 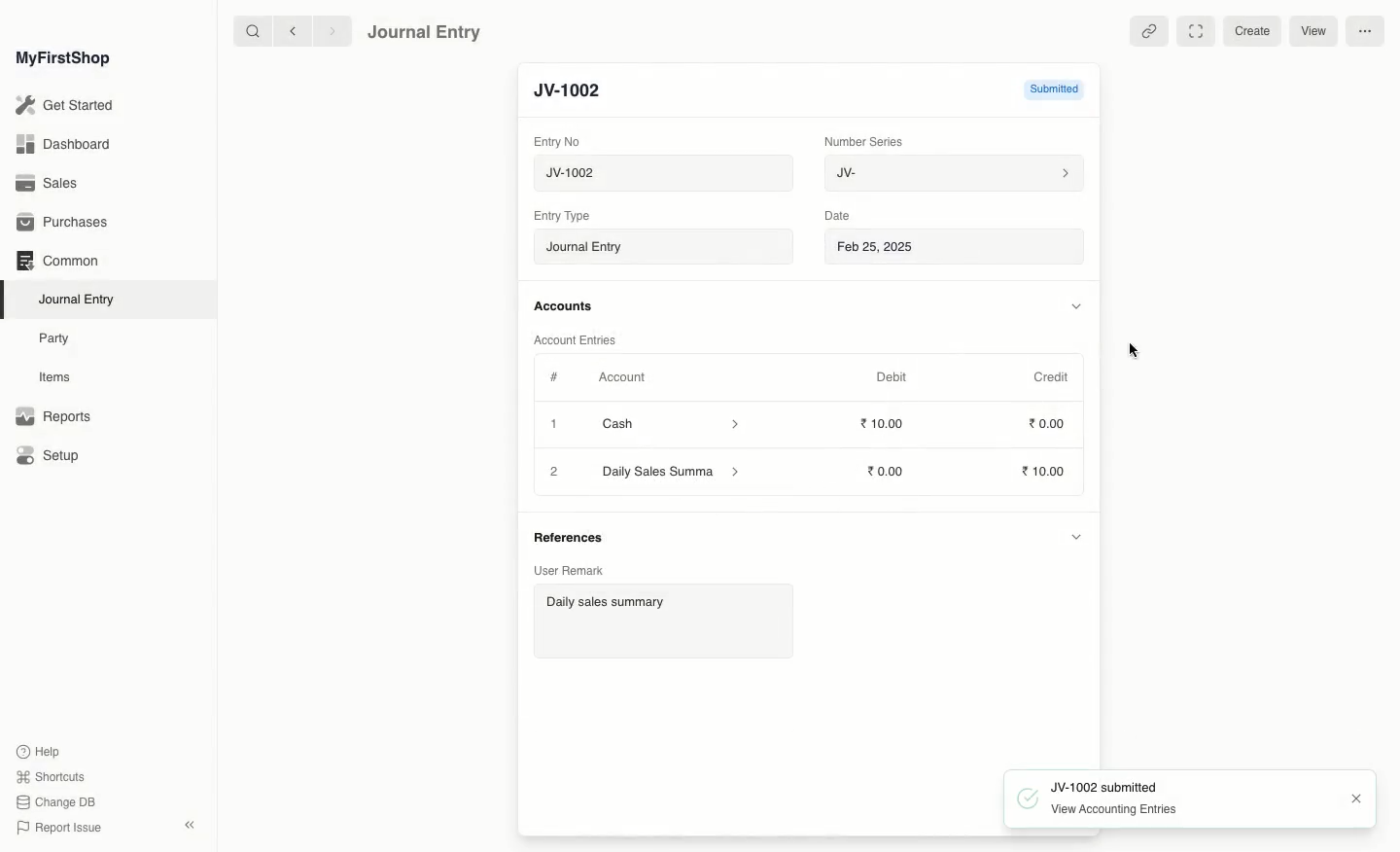 What do you see at coordinates (50, 457) in the screenshot?
I see `Setup` at bounding box center [50, 457].